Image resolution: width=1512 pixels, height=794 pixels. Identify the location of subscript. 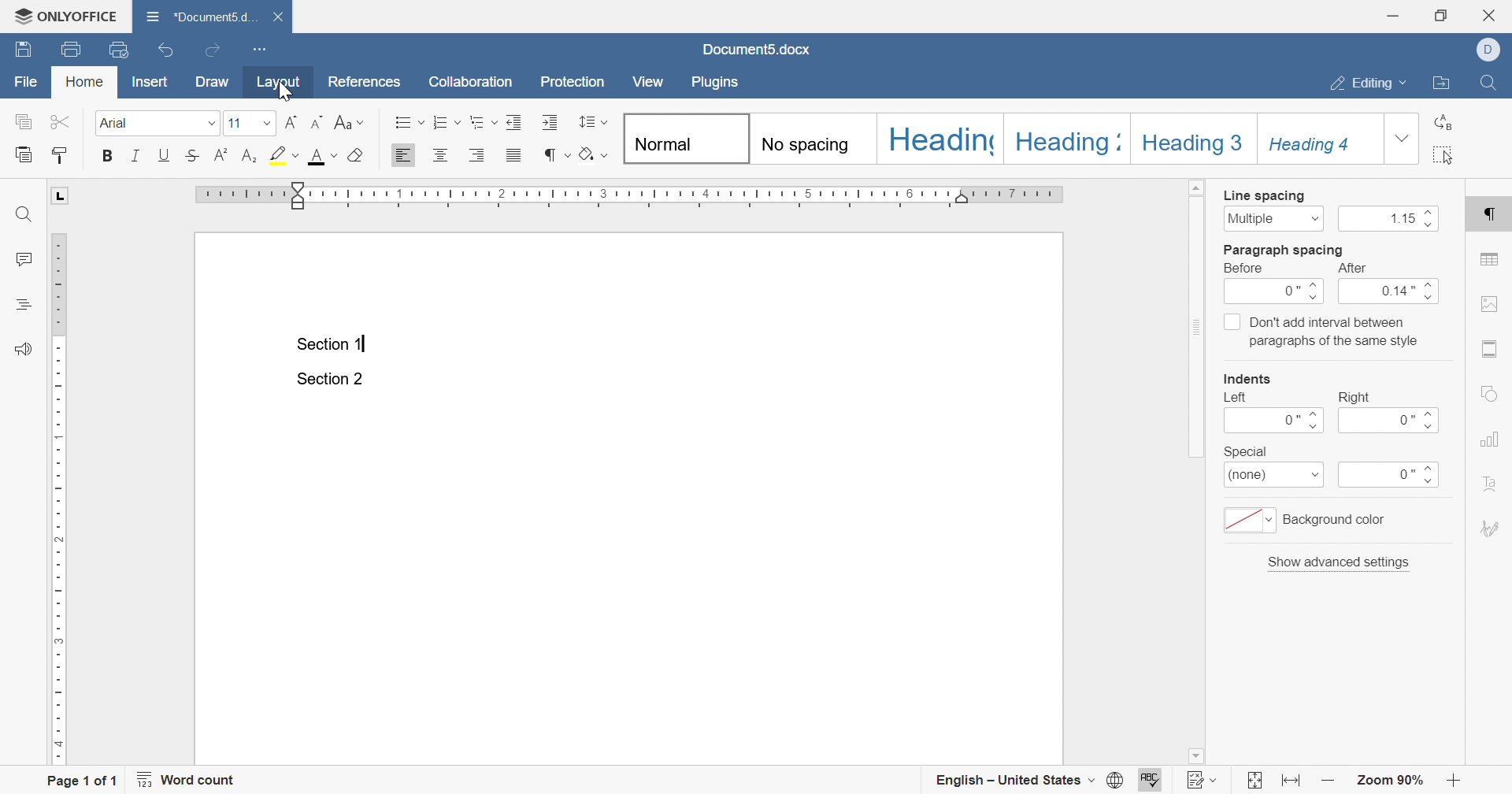
(250, 155).